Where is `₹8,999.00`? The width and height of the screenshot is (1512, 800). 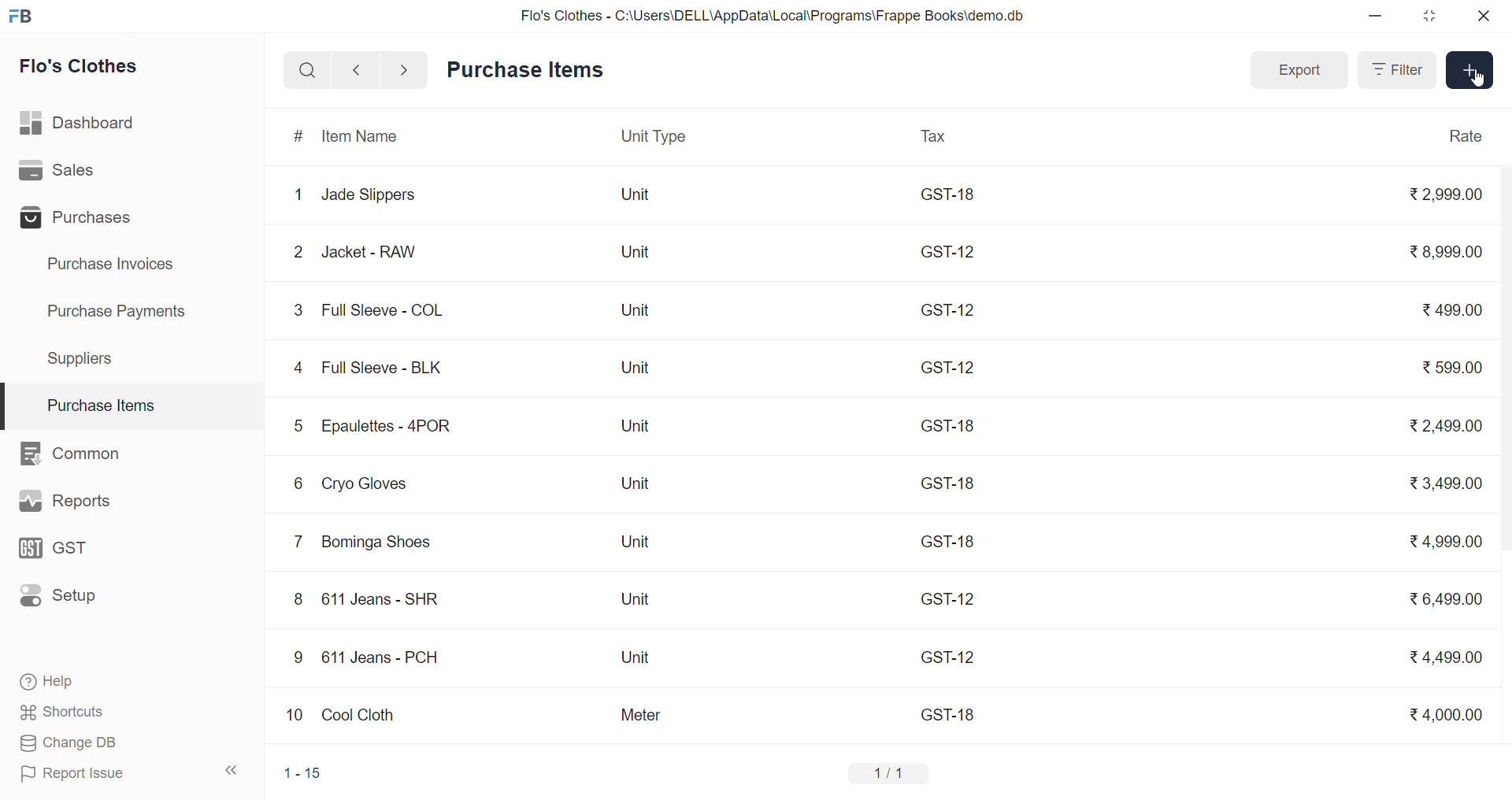
₹8,999.00 is located at coordinates (1441, 251).